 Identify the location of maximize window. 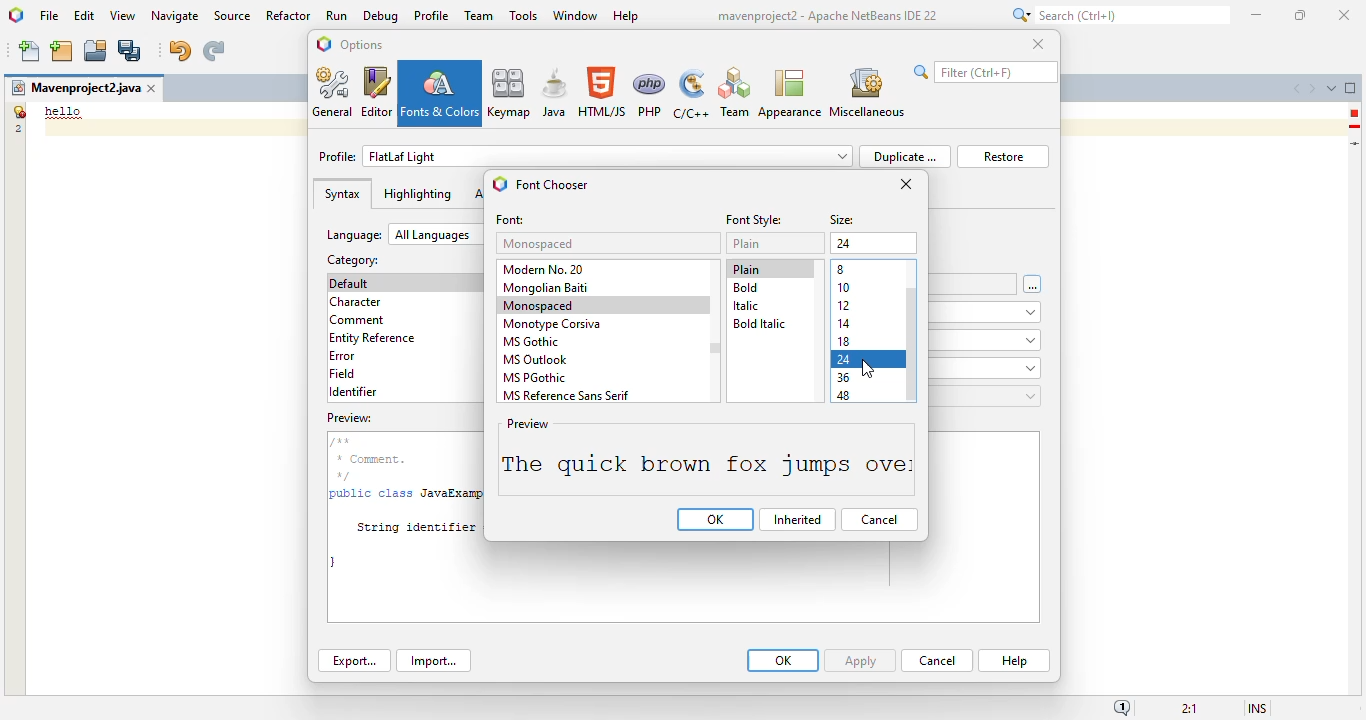
(1351, 87).